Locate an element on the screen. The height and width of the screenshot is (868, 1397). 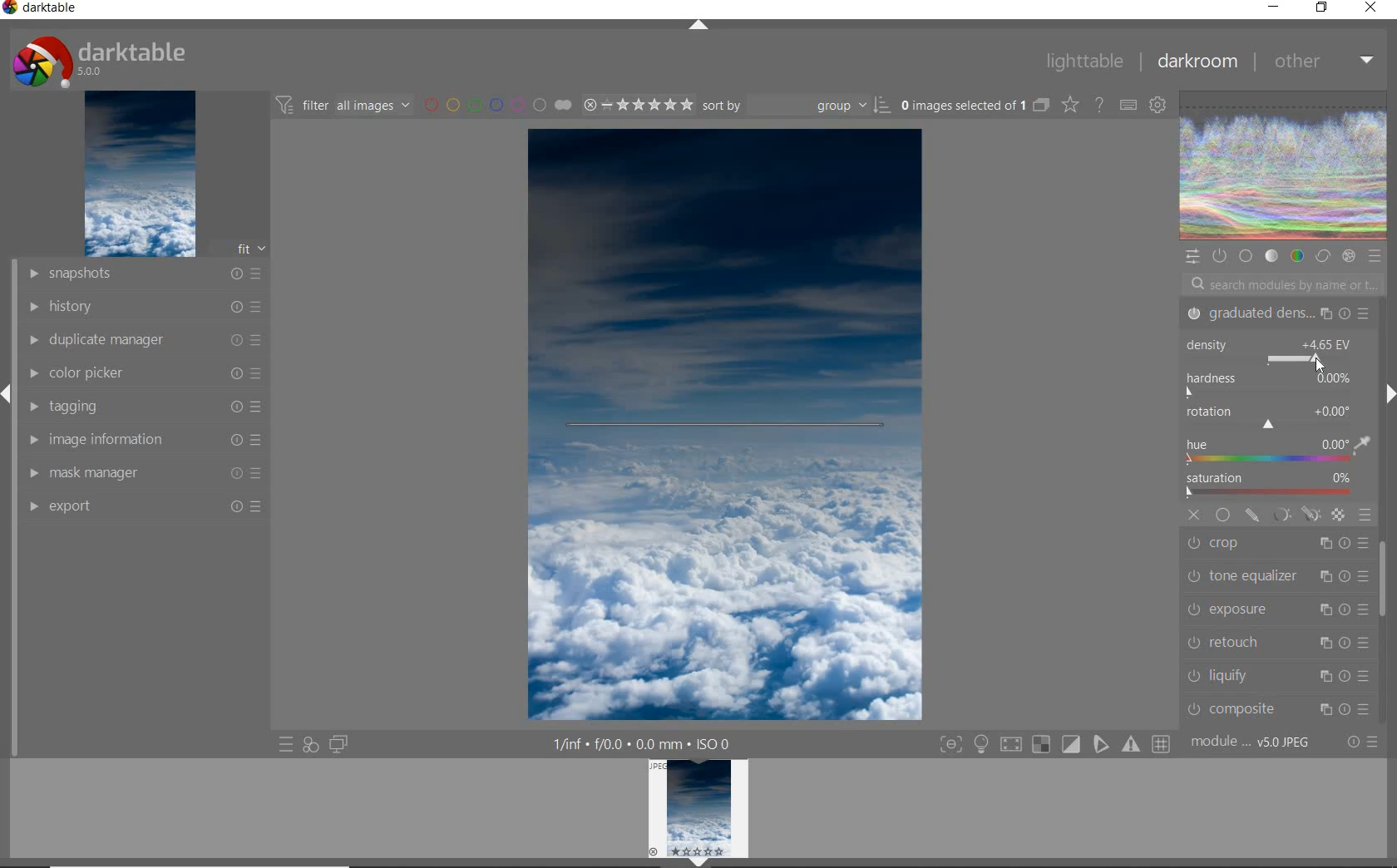
BASE is located at coordinates (1247, 256).